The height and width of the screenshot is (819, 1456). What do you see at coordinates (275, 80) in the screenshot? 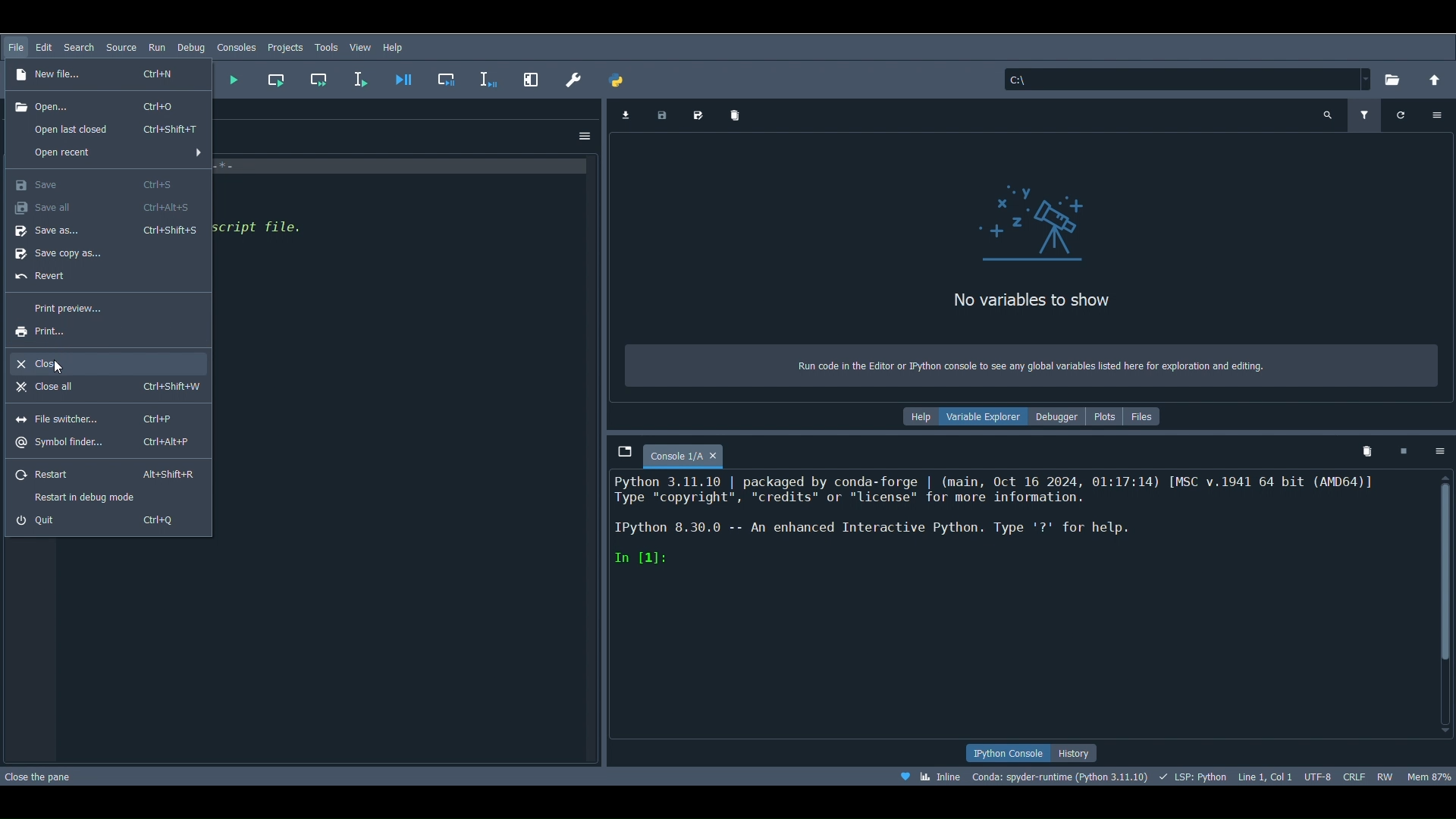
I see `Run current cell (Ctrl + Return)` at bounding box center [275, 80].